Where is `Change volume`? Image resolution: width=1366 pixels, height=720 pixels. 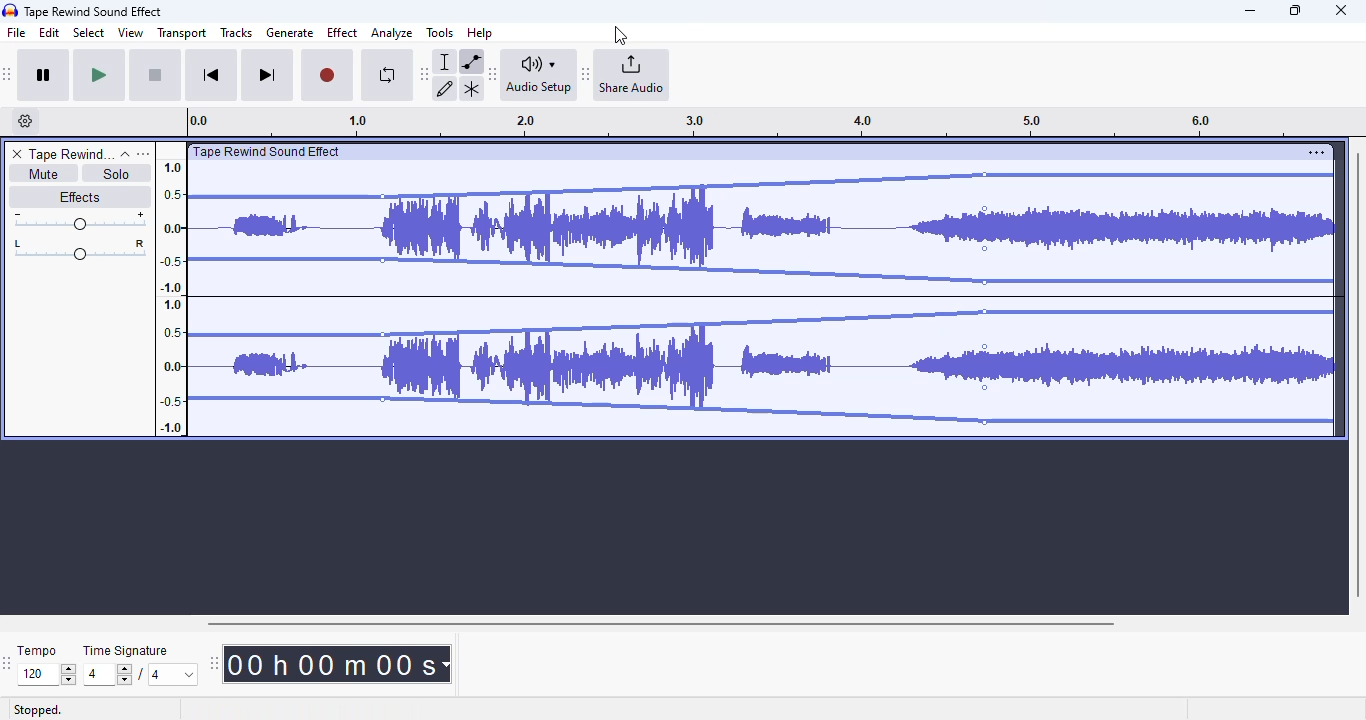
Change volume is located at coordinates (79, 221).